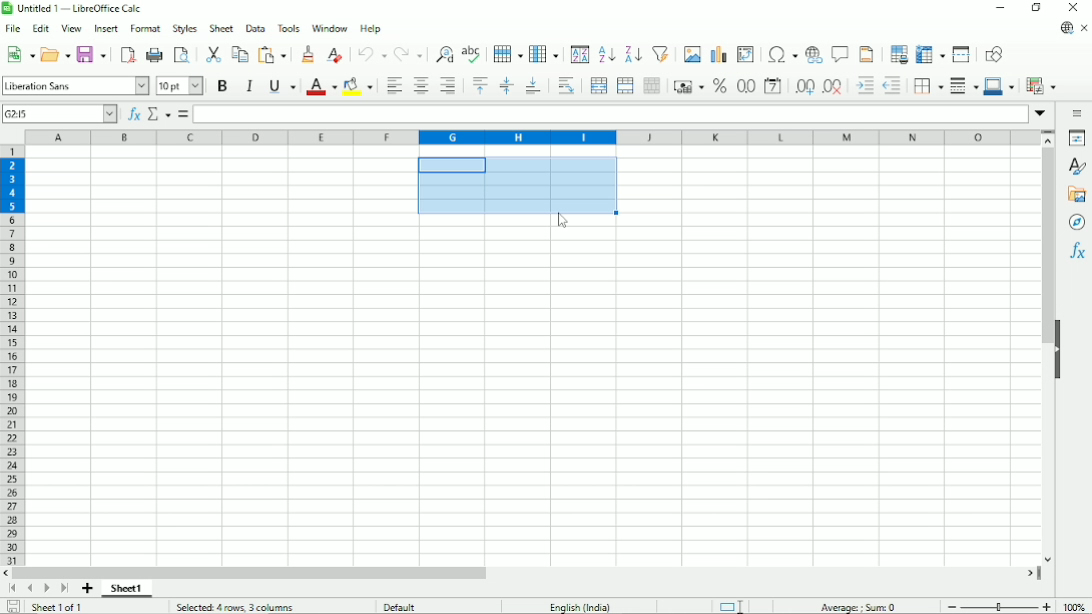  I want to click on selected 4 rows, 3 columns, so click(236, 607).